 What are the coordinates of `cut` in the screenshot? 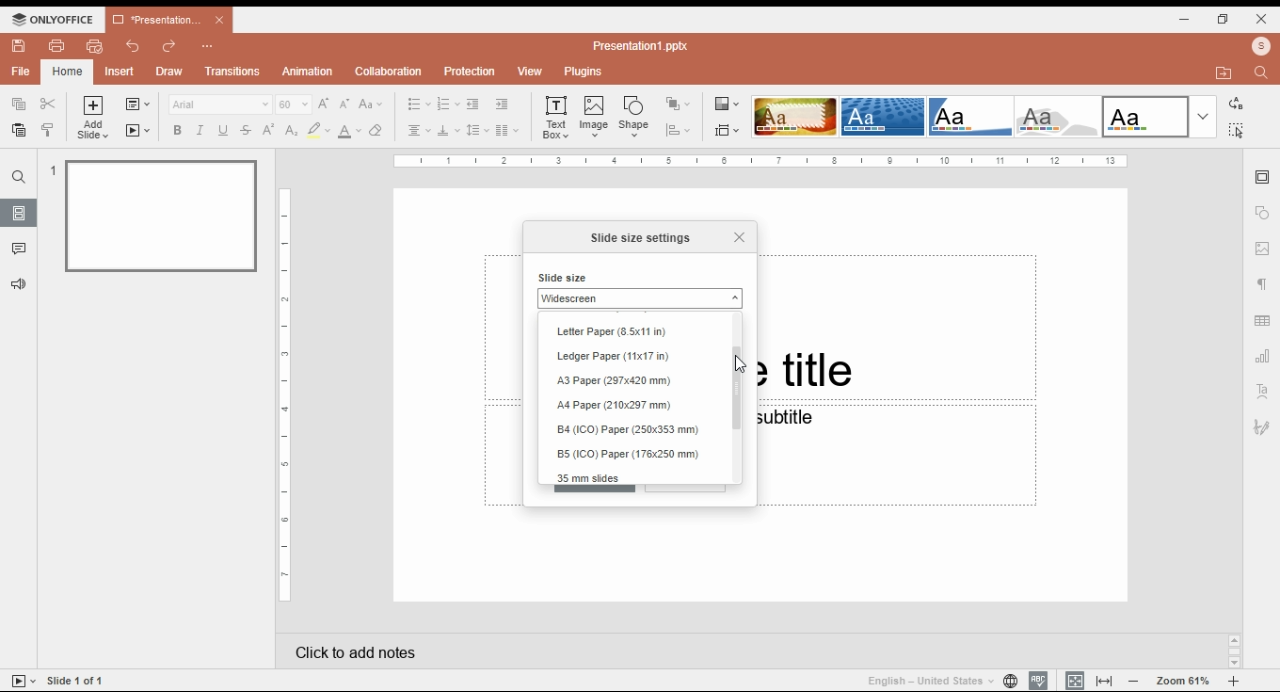 It's located at (49, 103).